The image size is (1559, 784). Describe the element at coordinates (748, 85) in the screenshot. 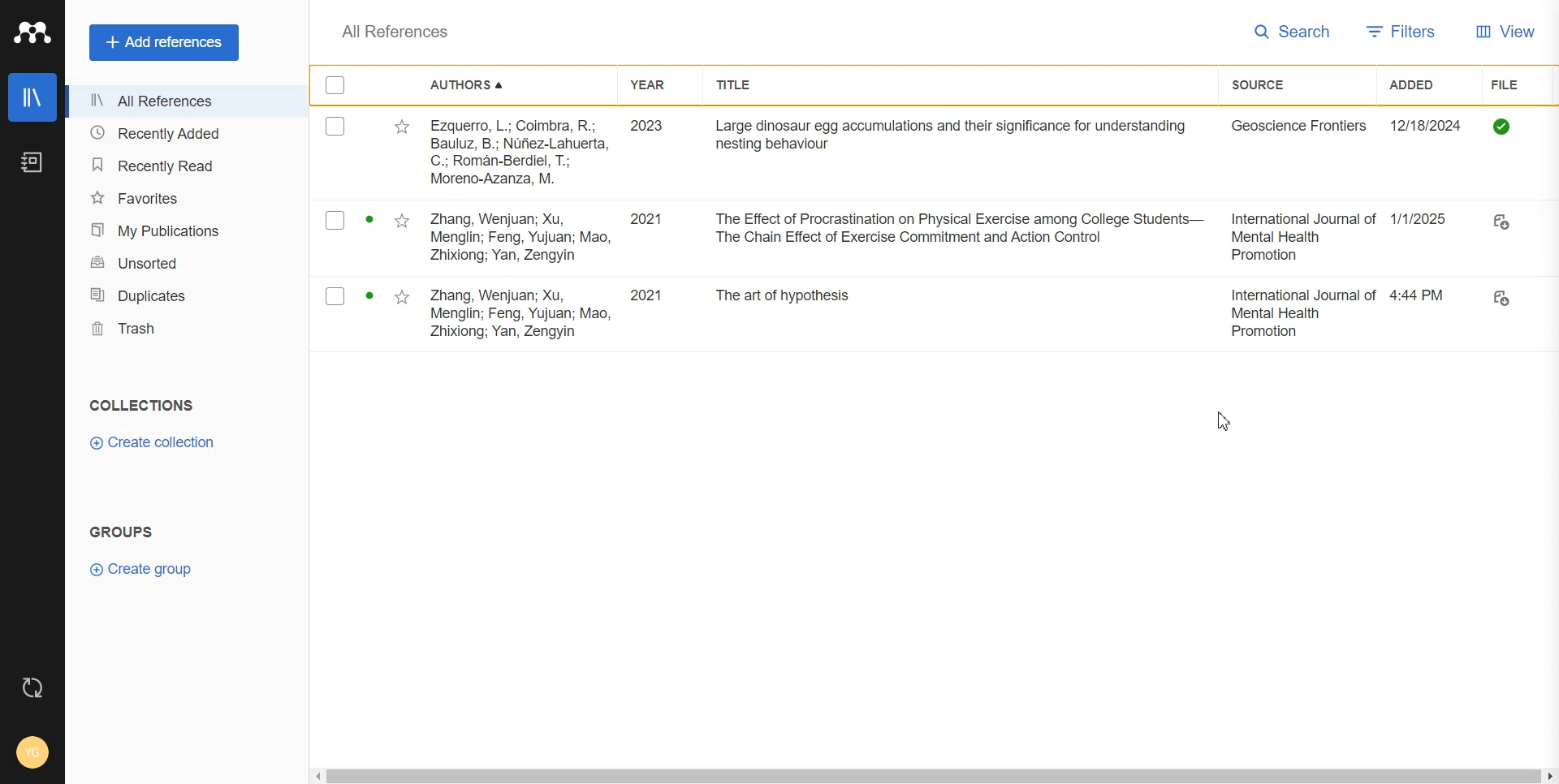

I see `Title` at that location.